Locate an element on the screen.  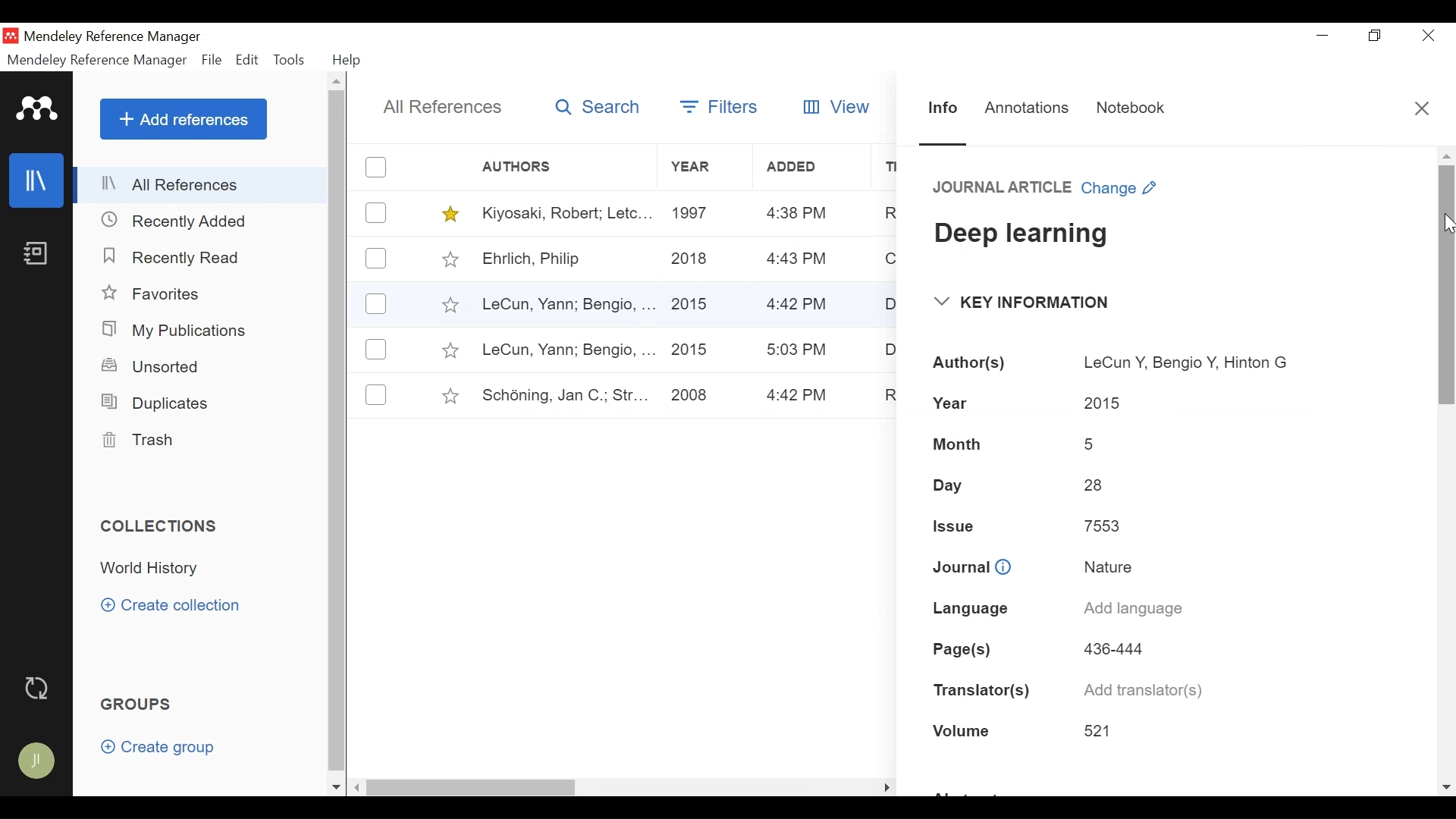
Horizontal Scroll bar is located at coordinates (471, 787).